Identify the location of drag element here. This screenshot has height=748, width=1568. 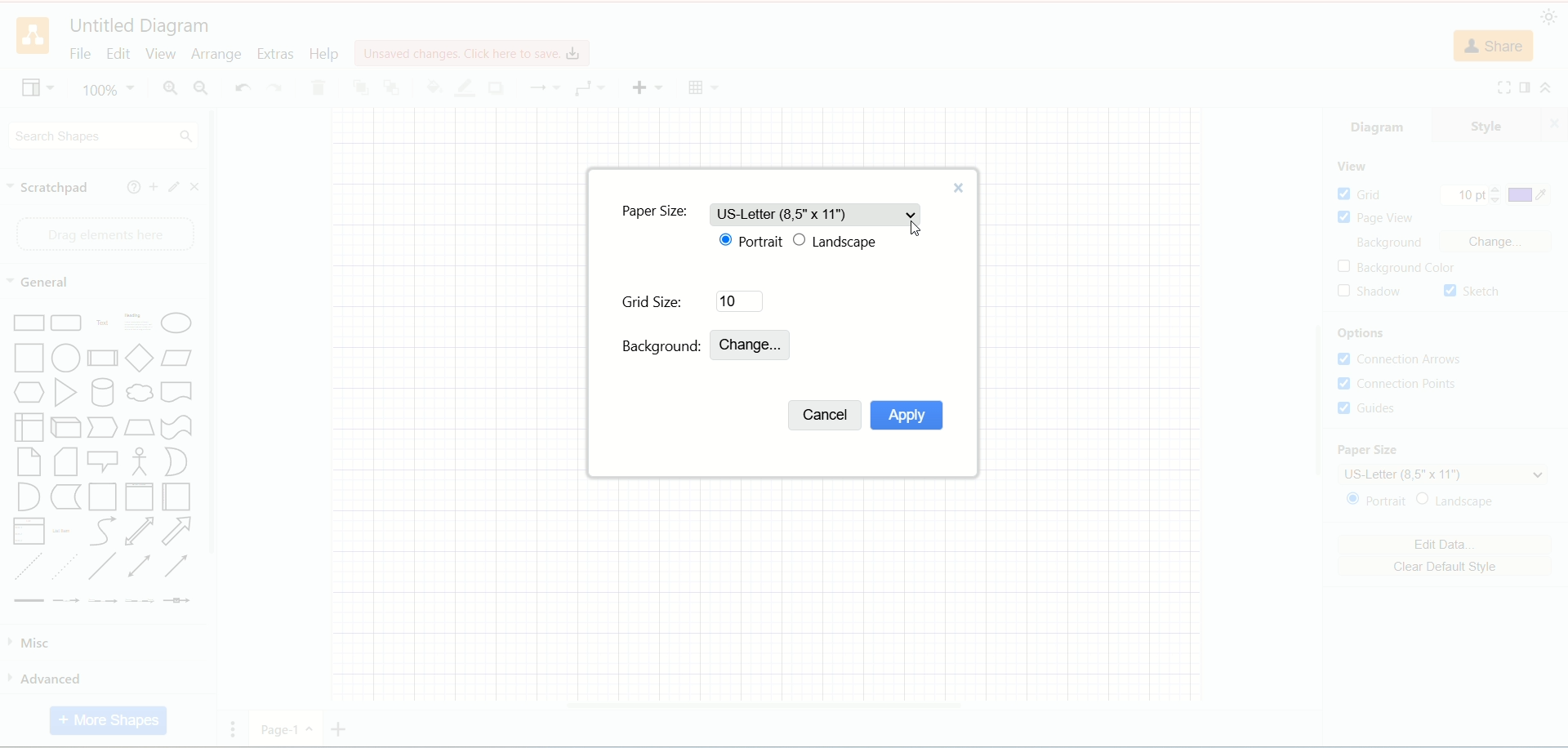
(102, 234).